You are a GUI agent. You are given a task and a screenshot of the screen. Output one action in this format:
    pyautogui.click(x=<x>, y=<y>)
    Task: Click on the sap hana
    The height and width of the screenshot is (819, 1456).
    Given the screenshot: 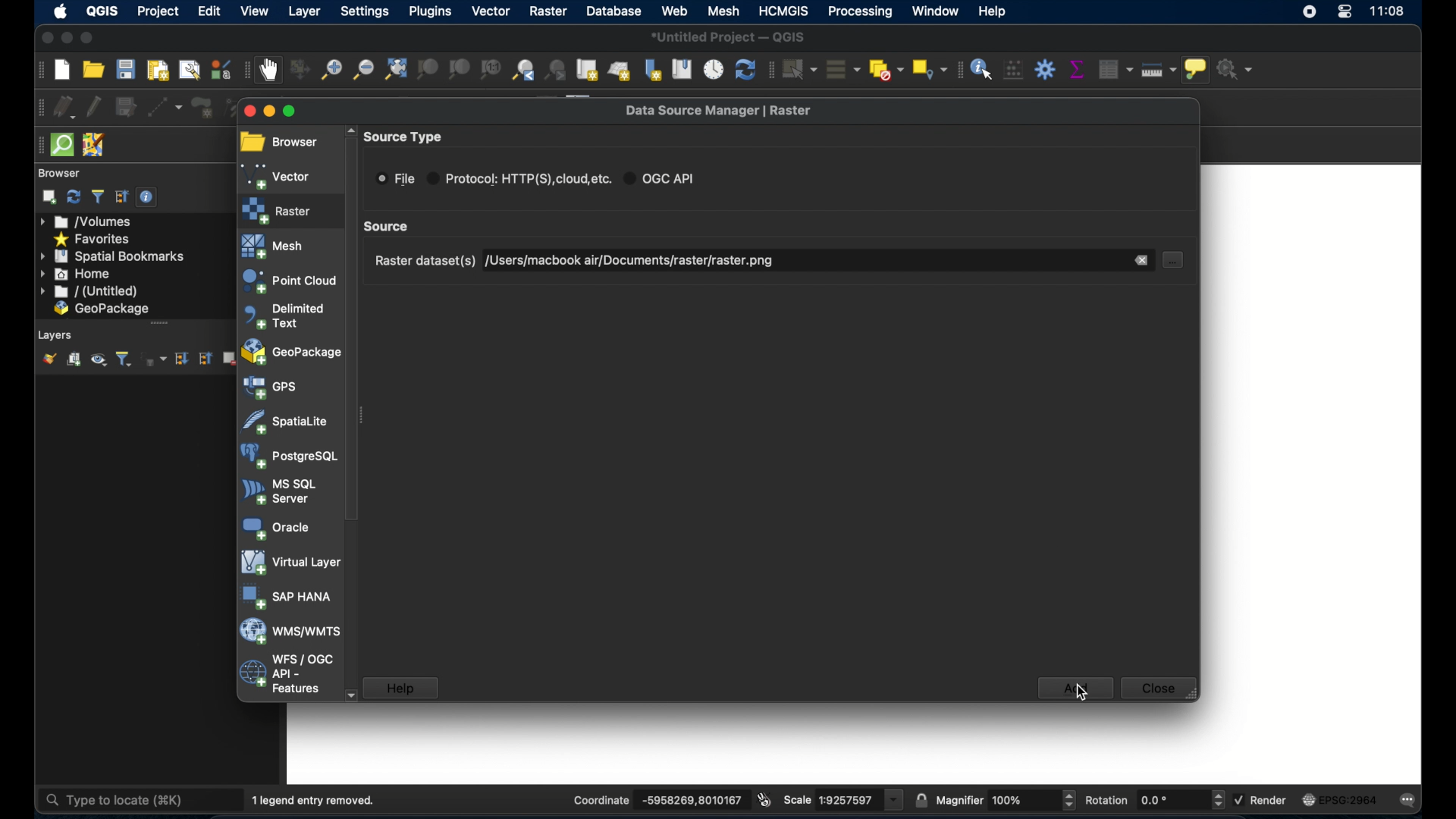 What is the action you would take?
    pyautogui.click(x=288, y=596)
    